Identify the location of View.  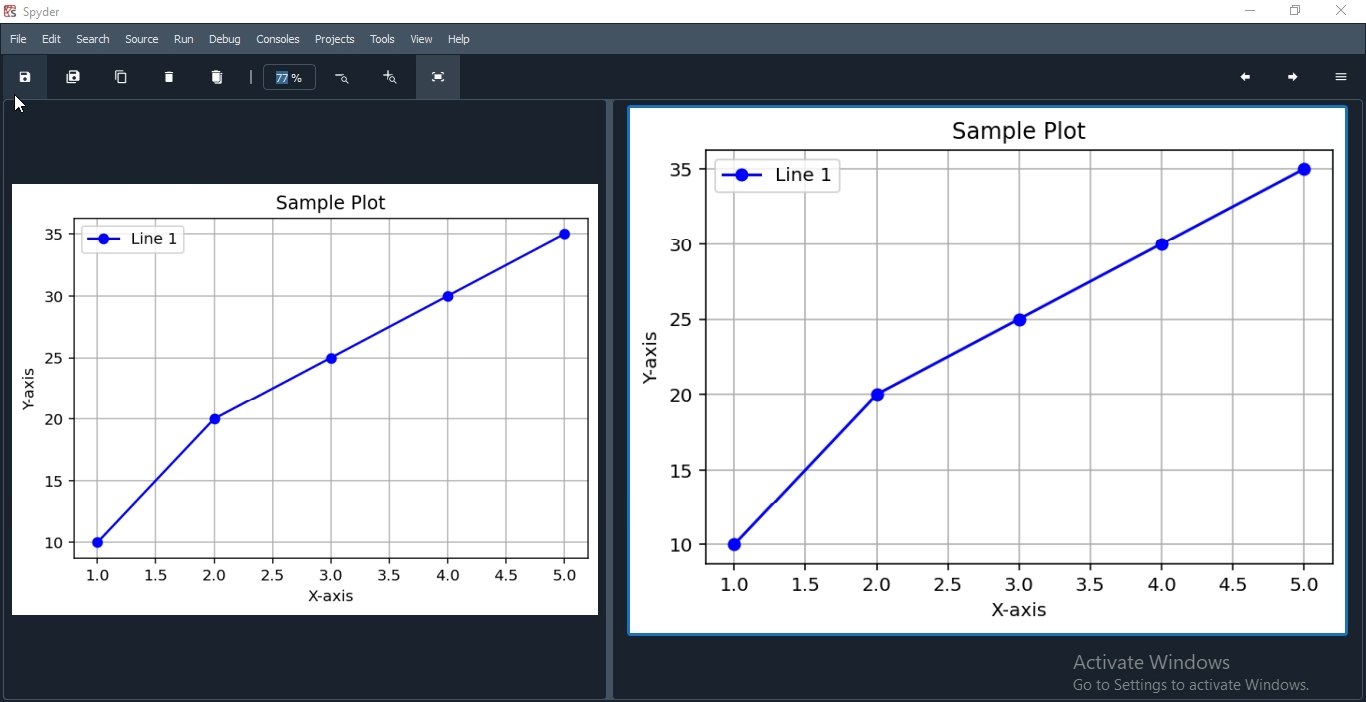
(424, 40).